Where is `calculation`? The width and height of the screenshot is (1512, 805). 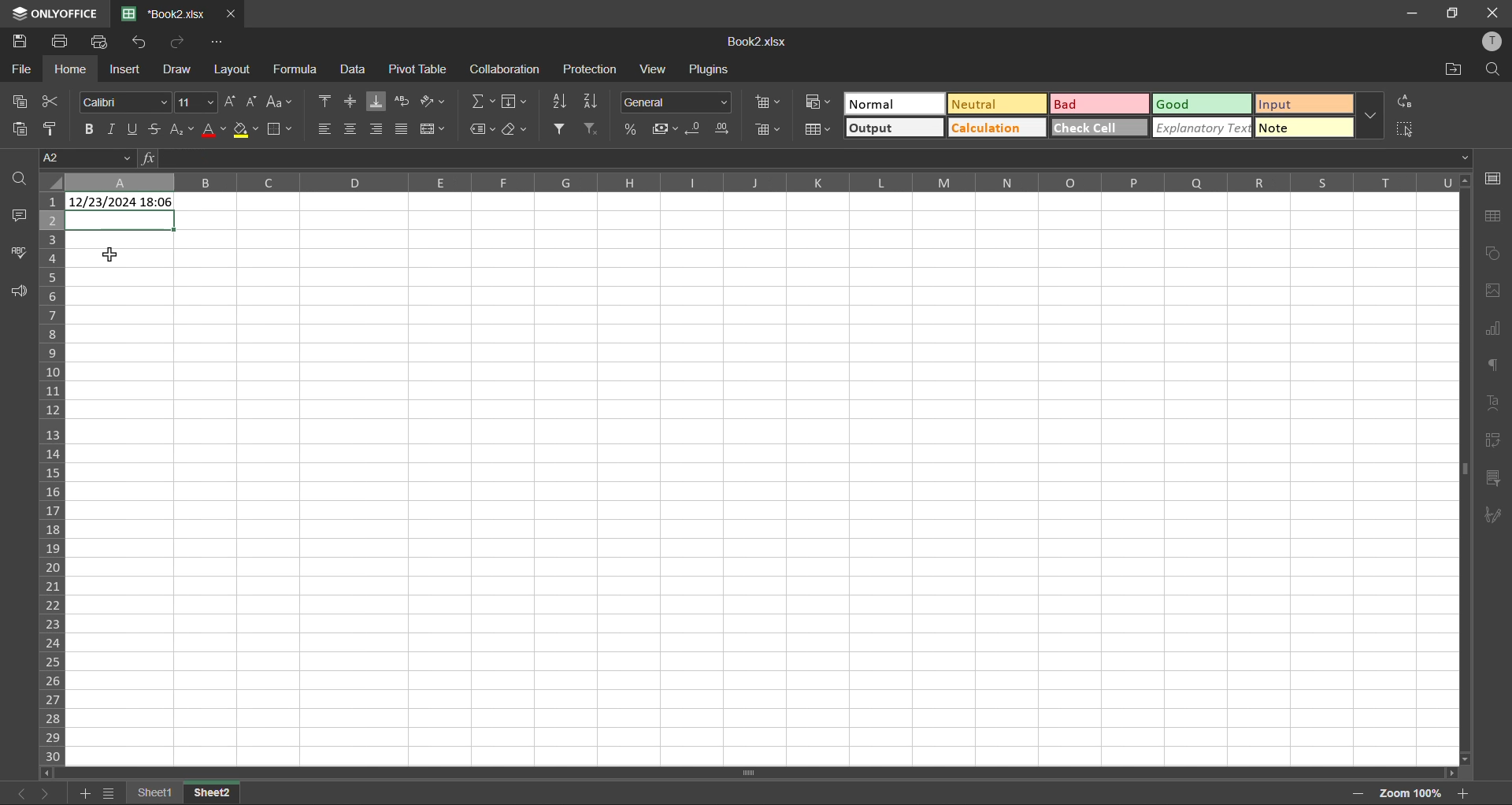
calculation is located at coordinates (995, 128).